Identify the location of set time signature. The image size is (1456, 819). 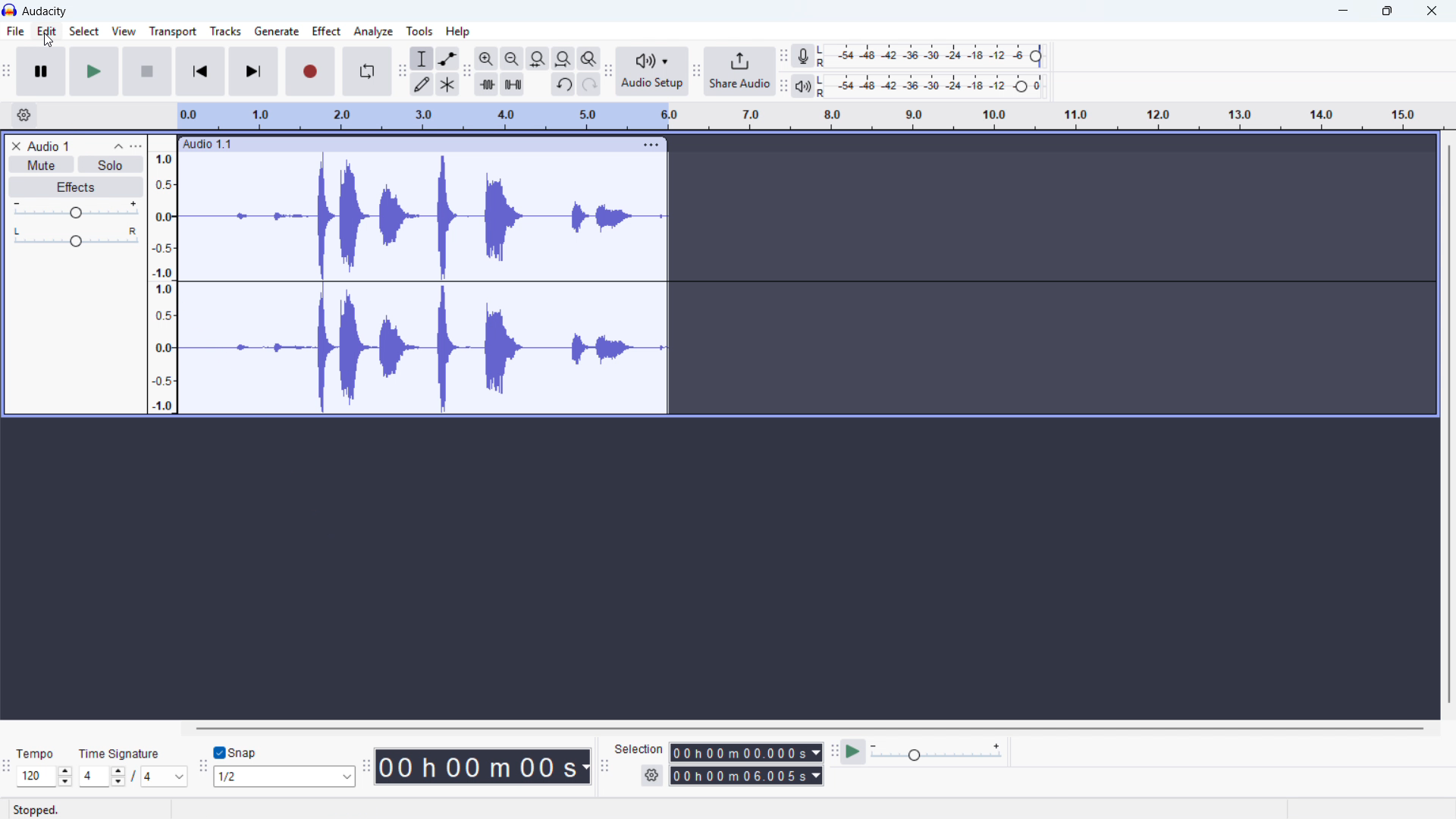
(133, 776).